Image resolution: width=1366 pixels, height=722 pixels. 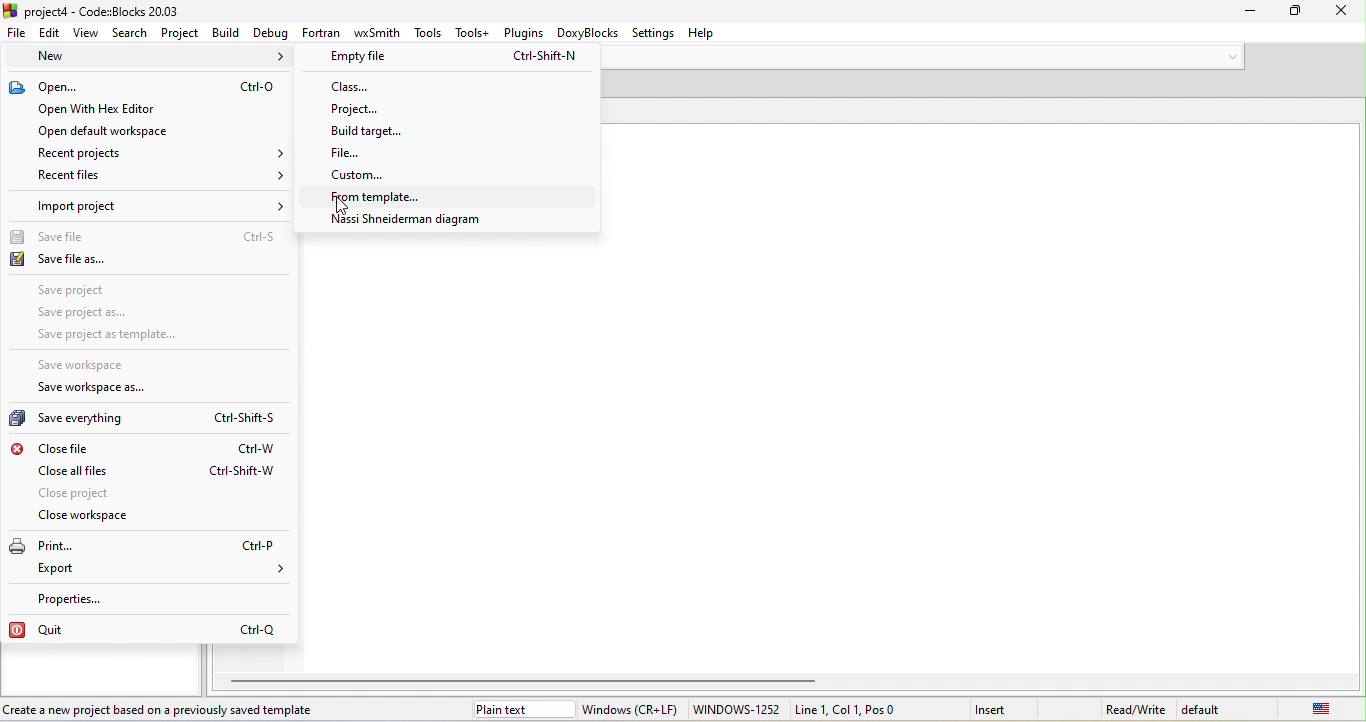 What do you see at coordinates (656, 32) in the screenshot?
I see `settings` at bounding box center [656, 32].